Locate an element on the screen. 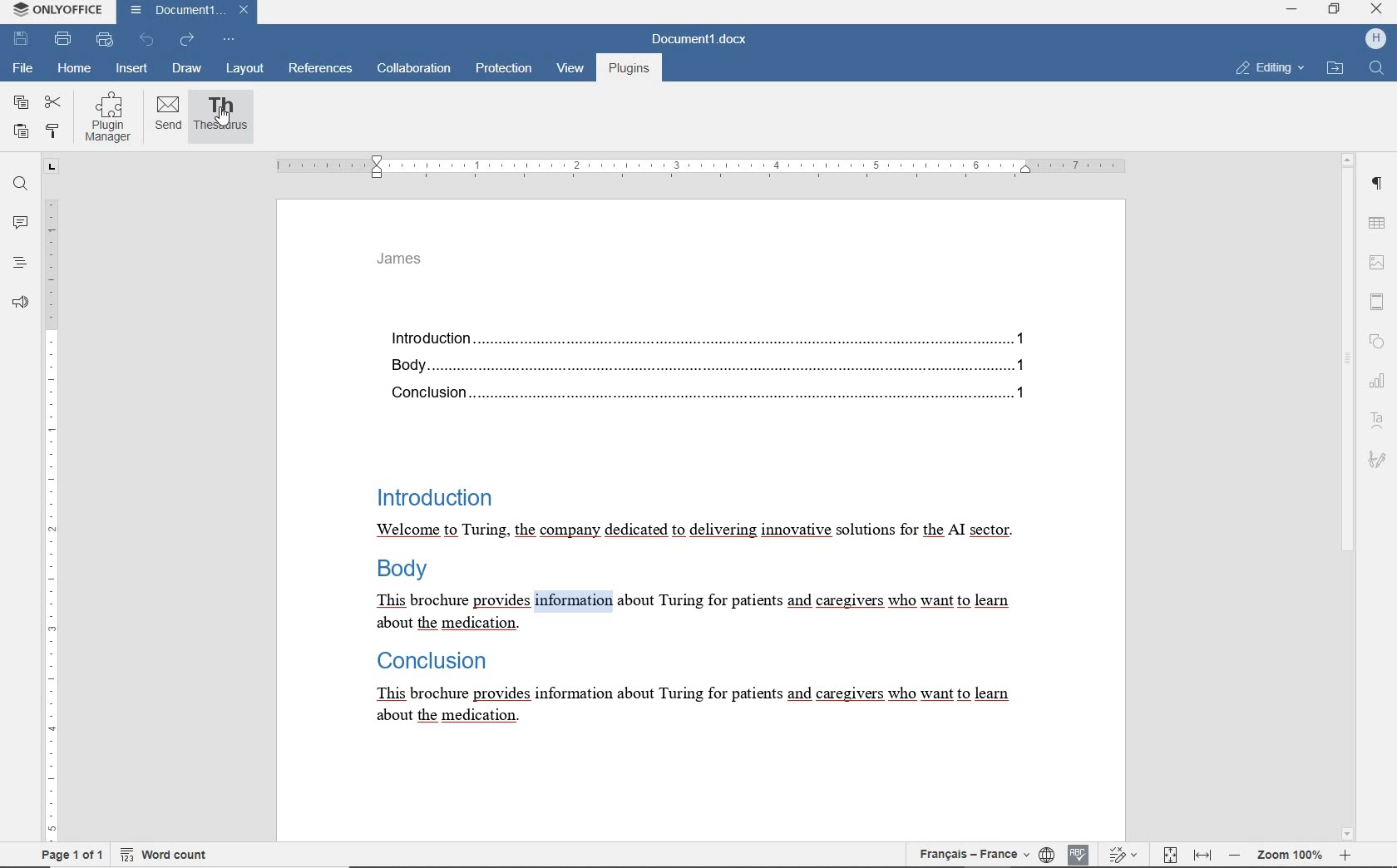 This screenshot has height=868, width=1397. This brochure provides information about Turing for patients and caregivers who want to learn
about the medication. is located at coordinates (689, 706).